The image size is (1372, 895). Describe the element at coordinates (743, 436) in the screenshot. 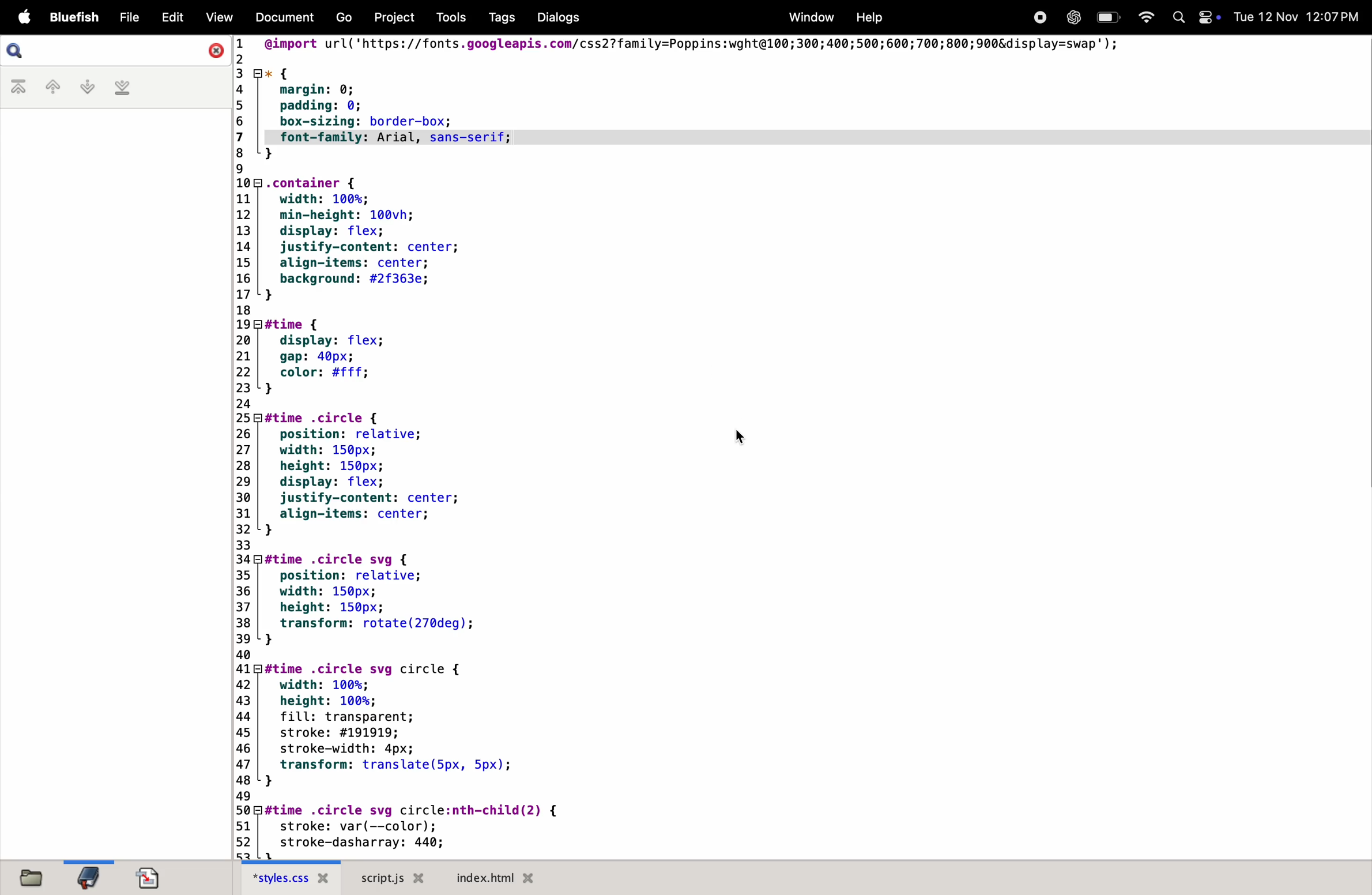

I see `cursor` at that location.